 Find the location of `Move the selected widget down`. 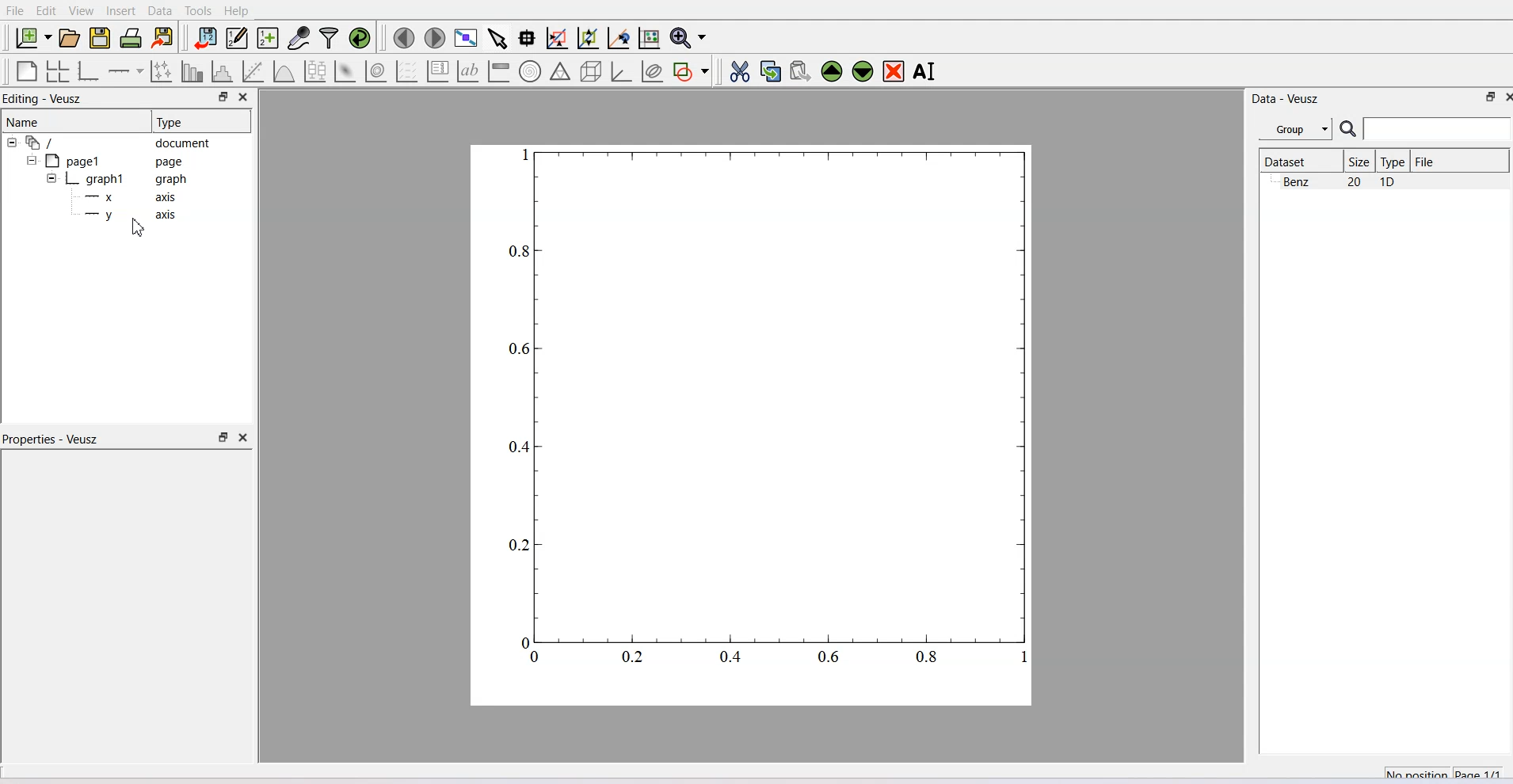

Move the selected widget down is located at coordinates (862, 72).